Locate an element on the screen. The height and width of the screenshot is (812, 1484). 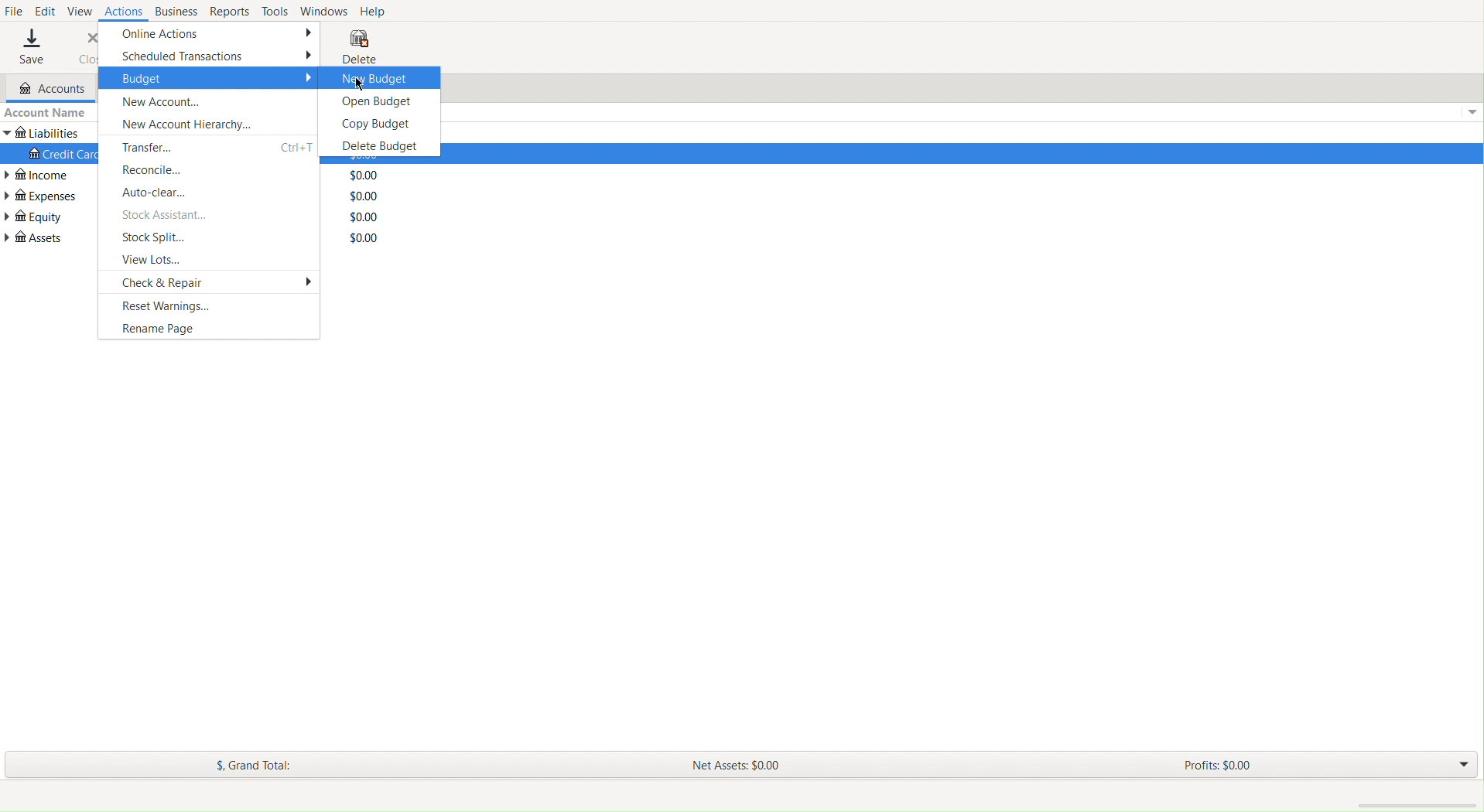
Delete is located at coordinates (358, 45).